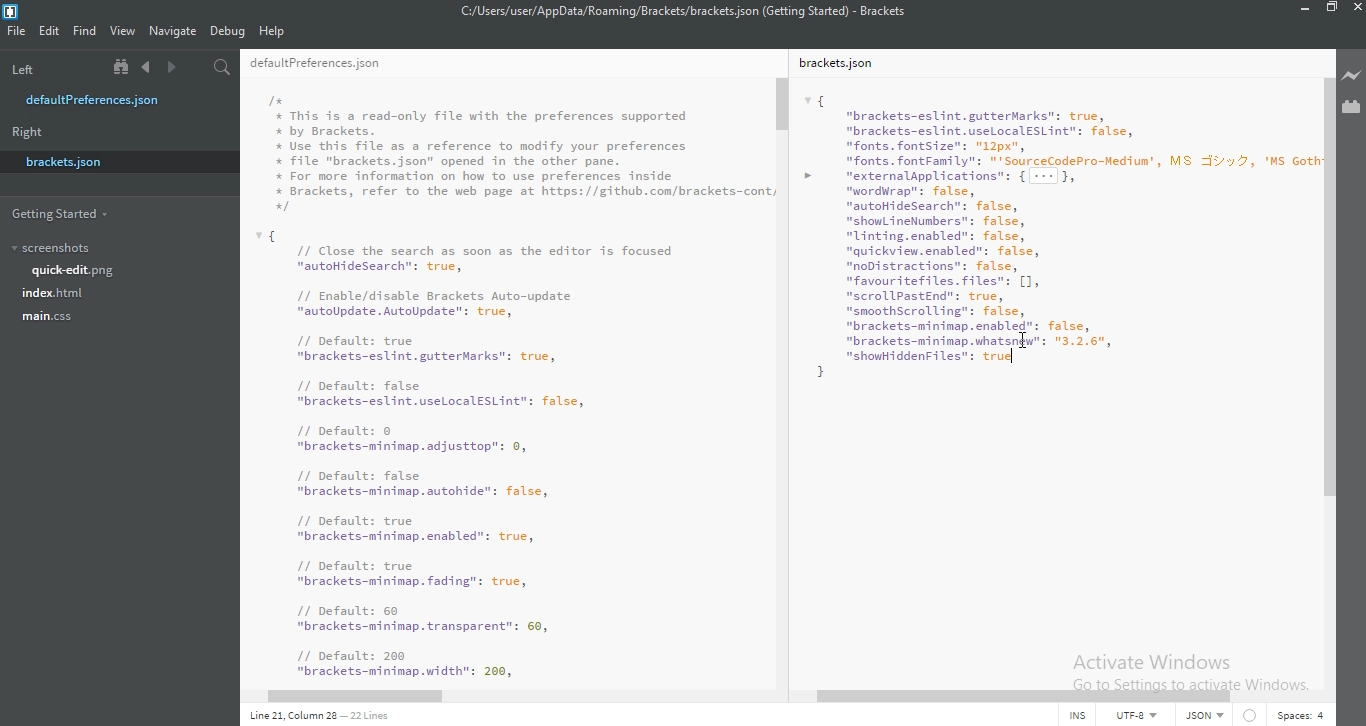 This screenshot has width=1366, height=726. What do you see at coordinates (1350, 75) in the screenshot?
I see `live preview` at bounding box center [1350, 75].